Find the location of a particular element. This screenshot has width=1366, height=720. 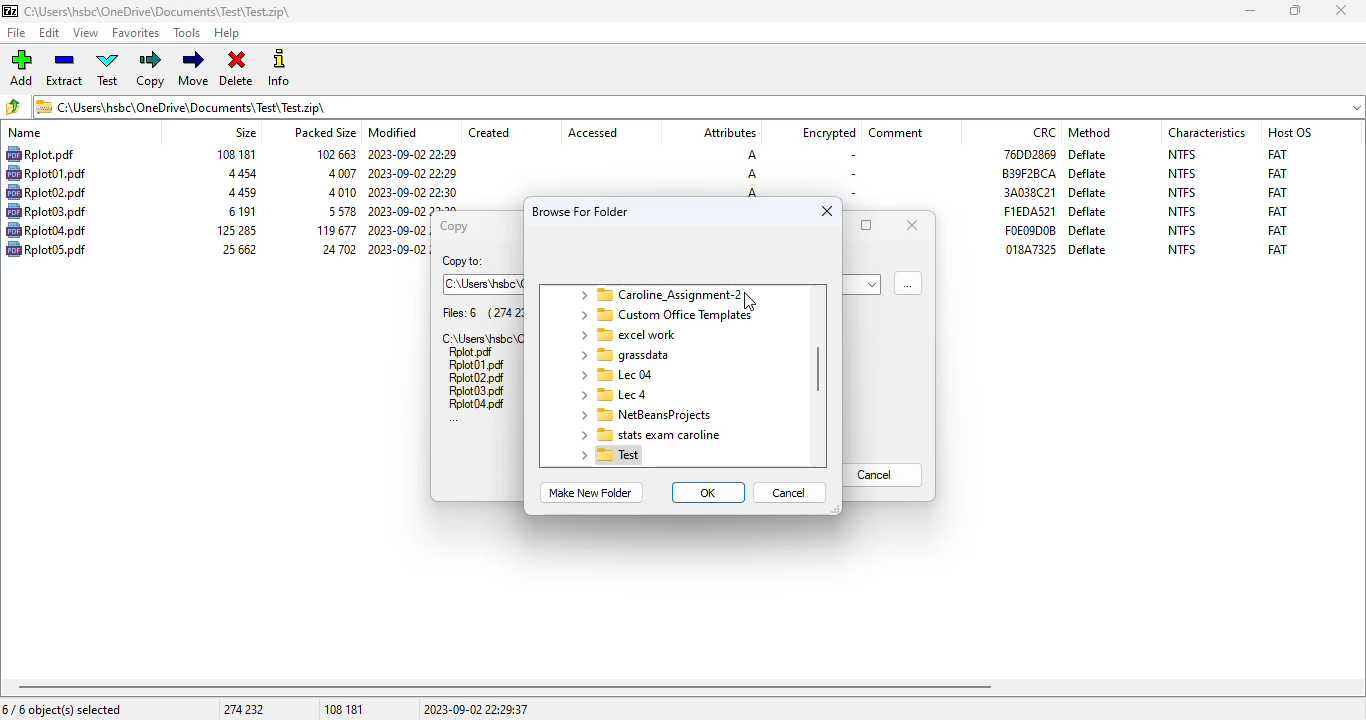

CRC is located at coordinates (1030, 230).